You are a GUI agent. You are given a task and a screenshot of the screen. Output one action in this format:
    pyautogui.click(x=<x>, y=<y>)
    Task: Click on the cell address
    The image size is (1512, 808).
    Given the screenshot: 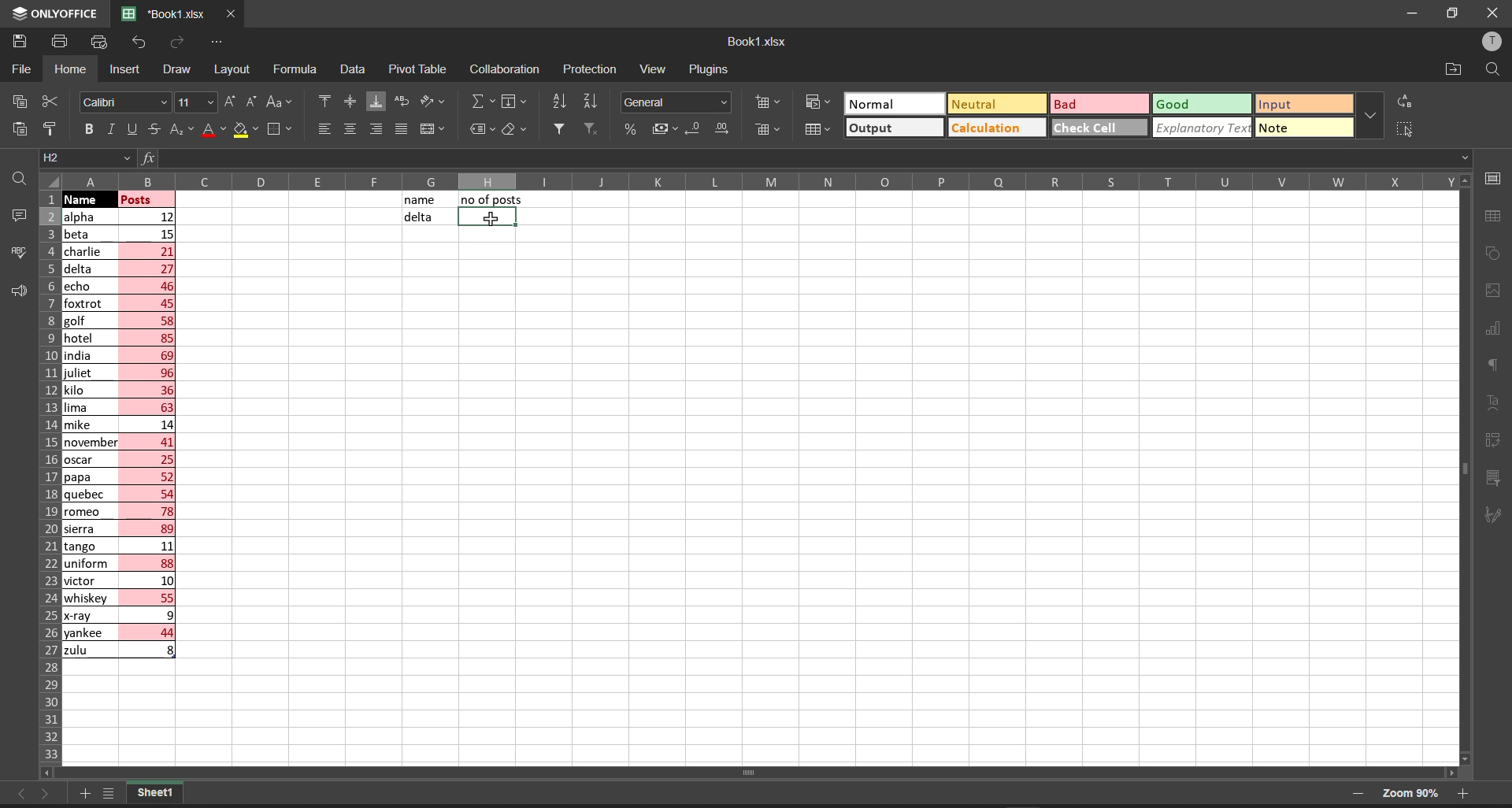 What is the action you would take?
    pyautogui.click(x=84, y=159)
    